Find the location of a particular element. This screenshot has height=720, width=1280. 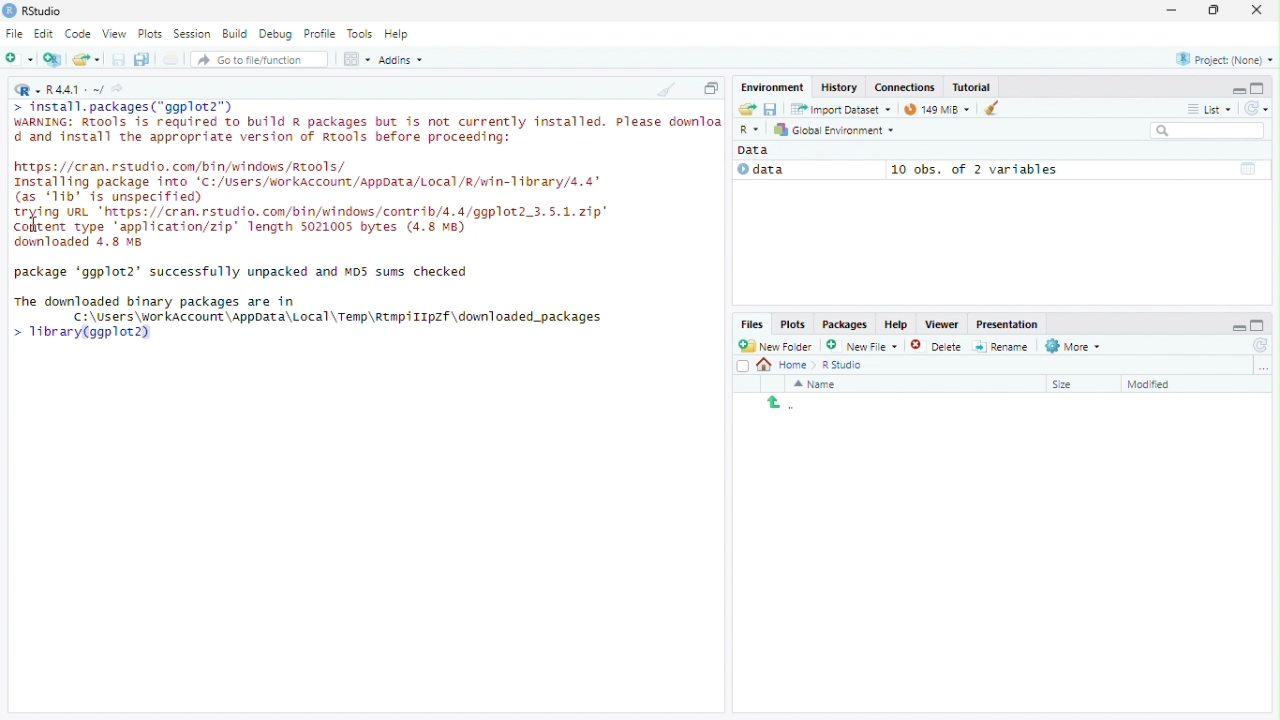

Close is located at coordinates (1259, 9).